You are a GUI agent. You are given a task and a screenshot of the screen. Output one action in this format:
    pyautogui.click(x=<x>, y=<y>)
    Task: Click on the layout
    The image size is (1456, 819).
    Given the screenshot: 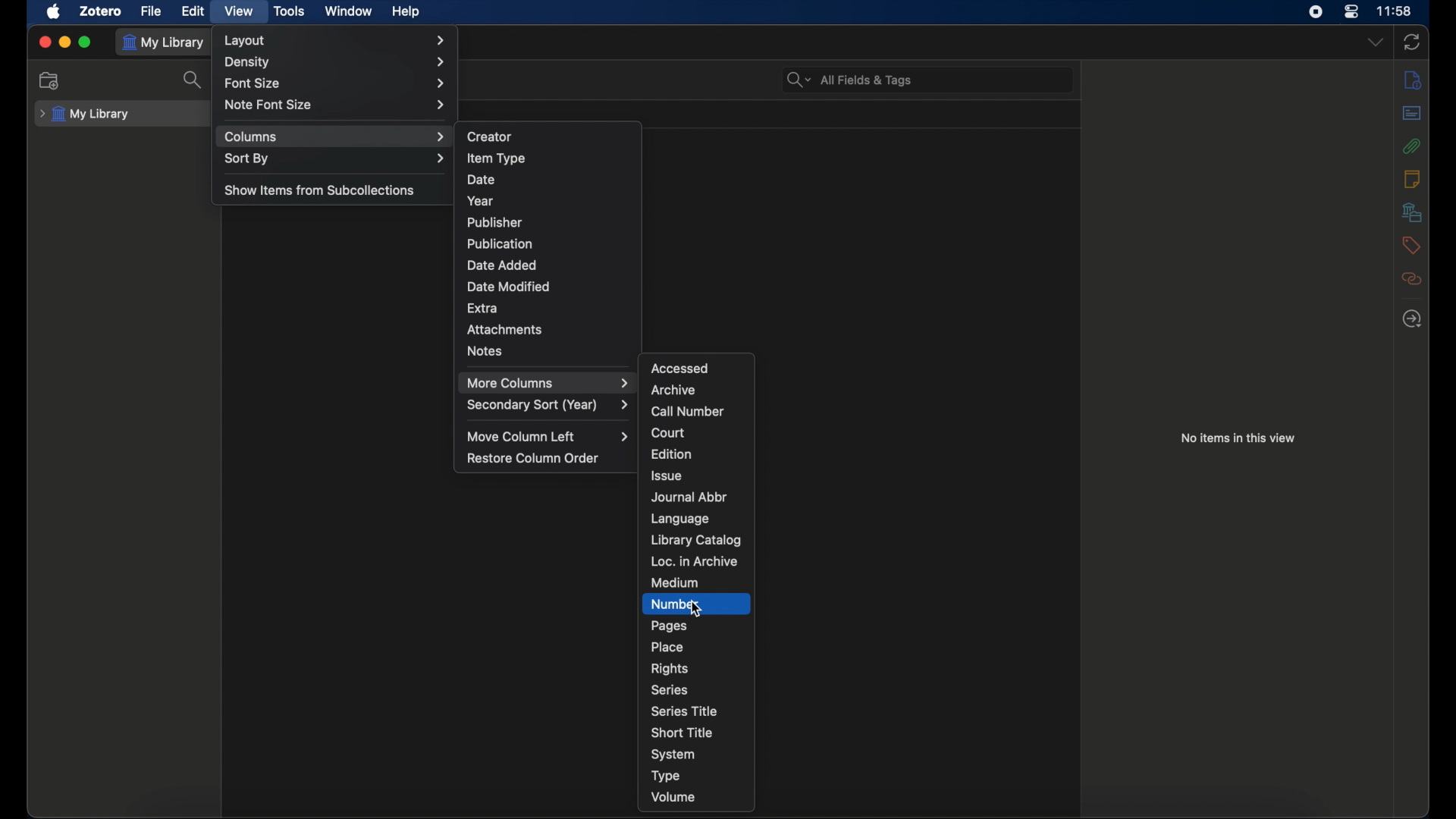 What is the action you would take?
    pyautogui.click(x=336, y=40)
    